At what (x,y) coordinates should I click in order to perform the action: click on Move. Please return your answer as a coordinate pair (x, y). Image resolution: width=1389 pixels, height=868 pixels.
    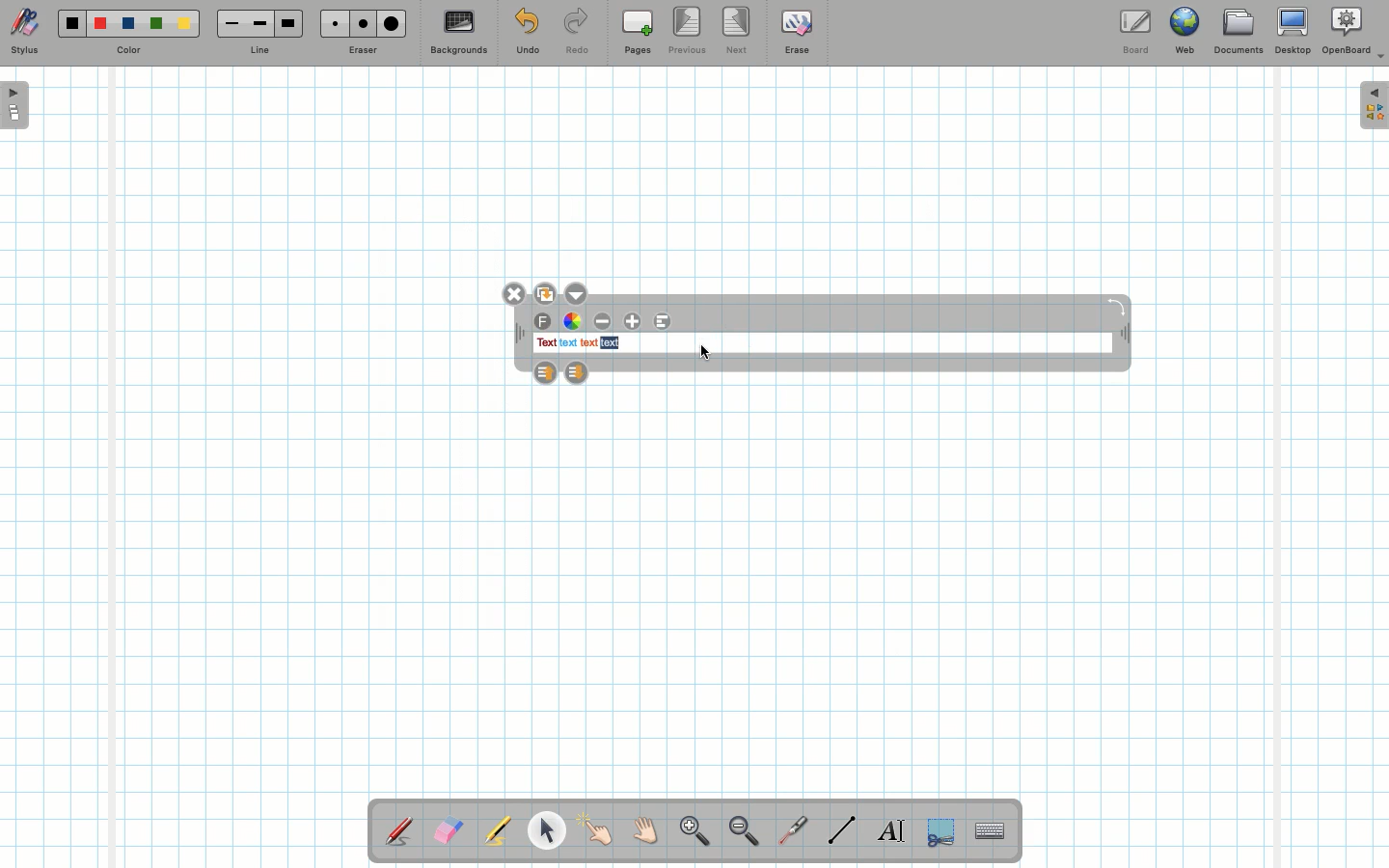
    Looking at the image, I should click on (1123, 336).